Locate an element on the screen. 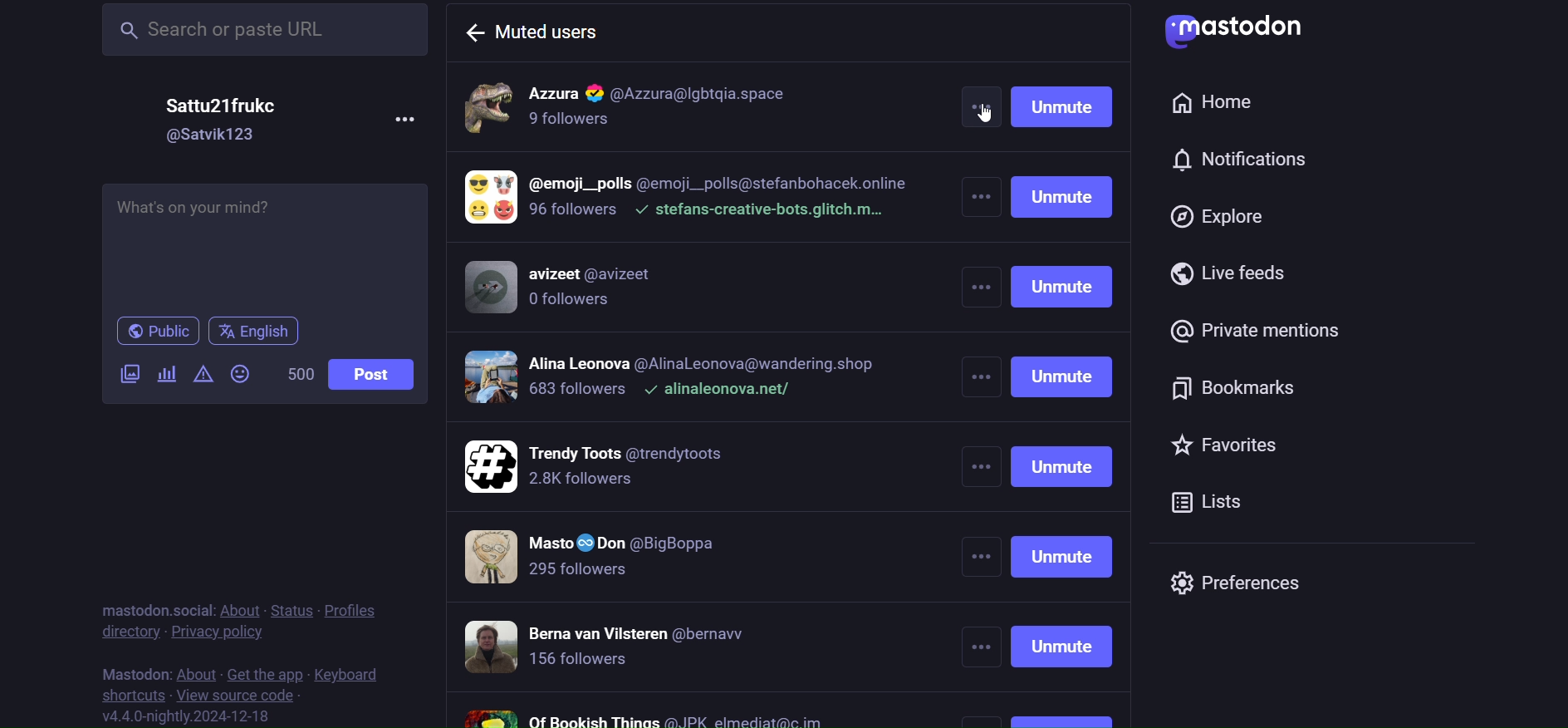 This screenshot has height=728, width=1568. private mention is located at coordinates (1259, 329).